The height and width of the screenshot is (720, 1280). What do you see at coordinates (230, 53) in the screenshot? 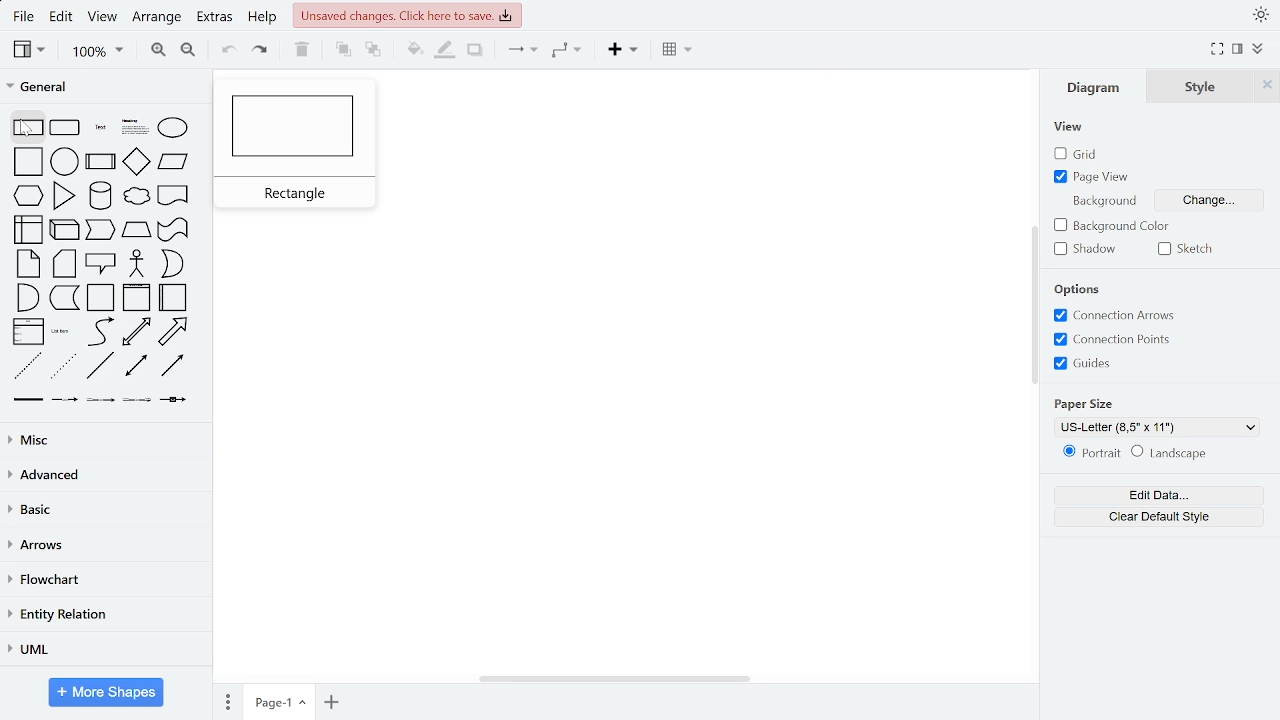
I see `undo` at bounding box center [230, 53].